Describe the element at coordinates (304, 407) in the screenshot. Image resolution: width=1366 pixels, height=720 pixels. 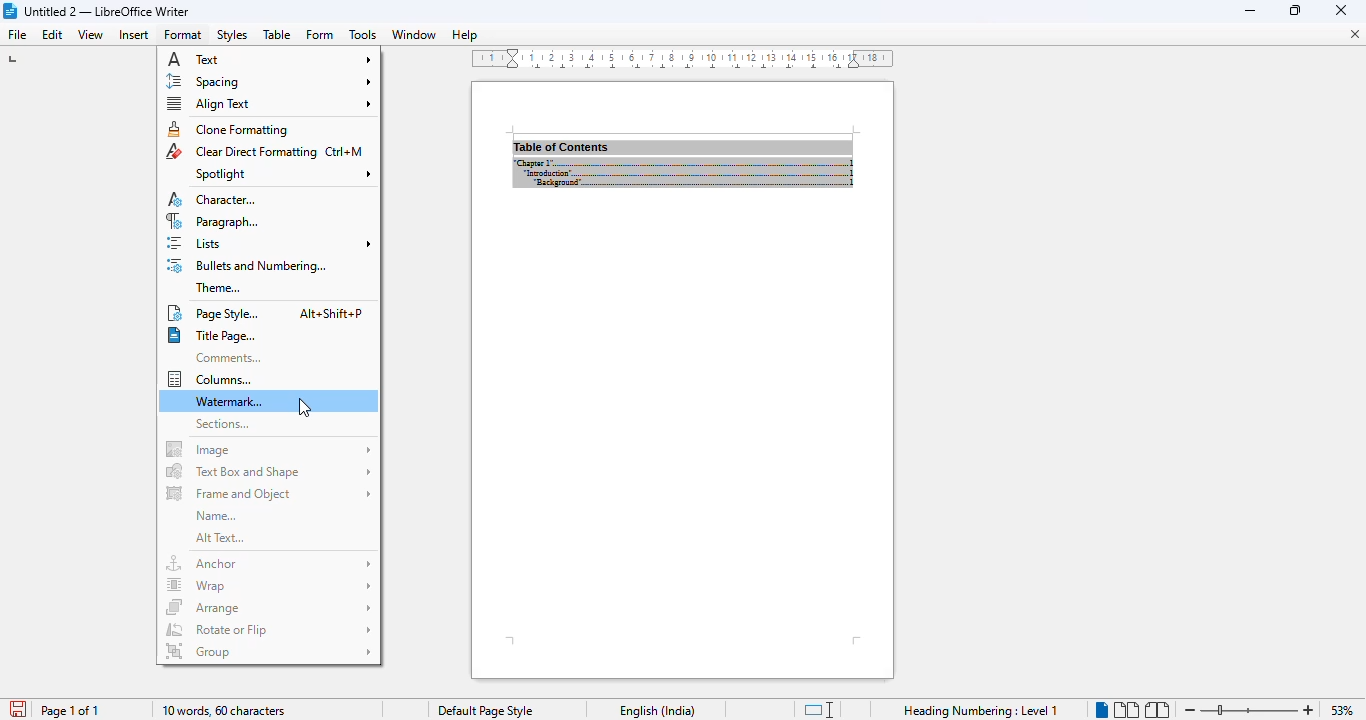
I see `cursor` at that location.